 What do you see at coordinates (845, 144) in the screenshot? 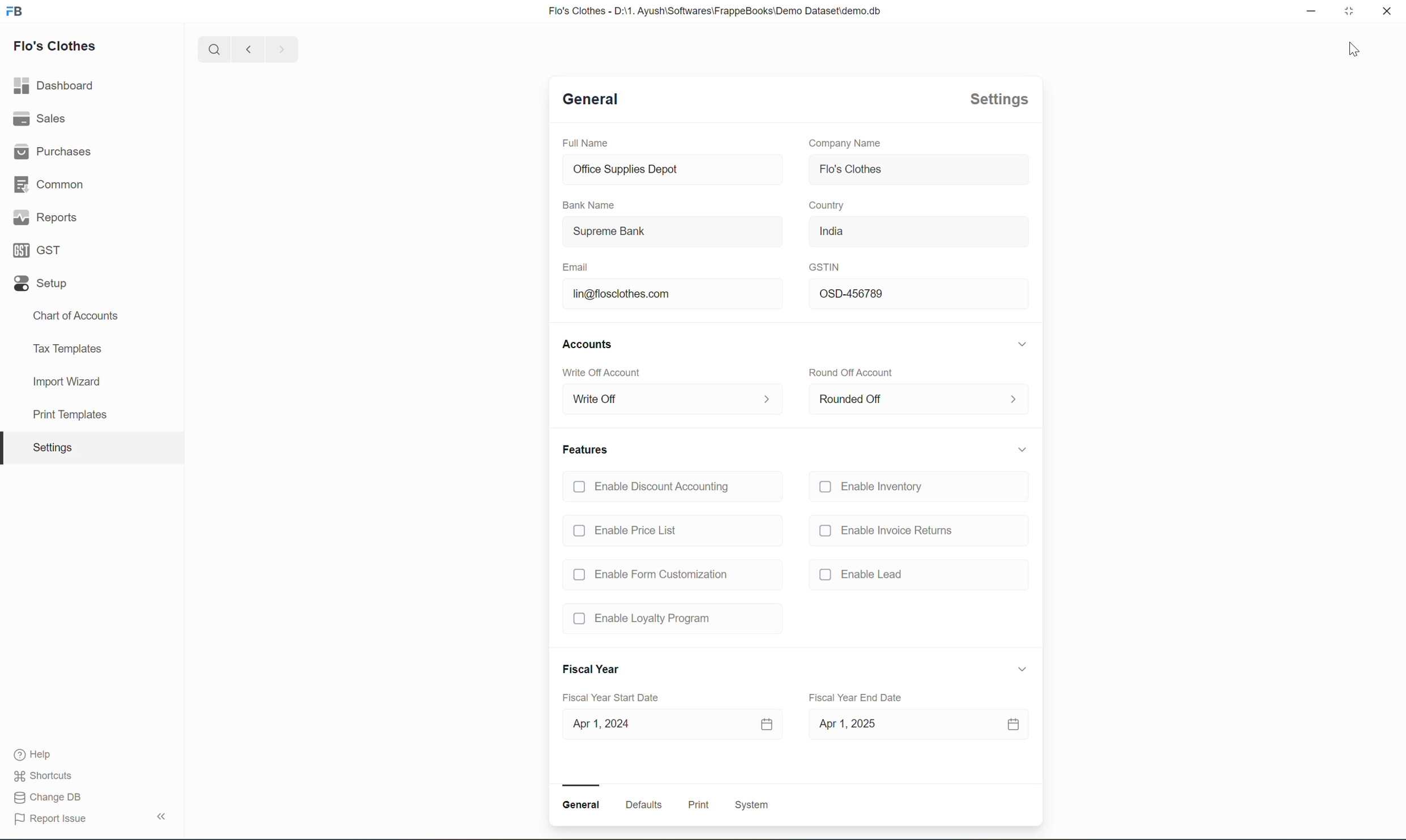
I see `Company Name` at bounding box center [845, 144].